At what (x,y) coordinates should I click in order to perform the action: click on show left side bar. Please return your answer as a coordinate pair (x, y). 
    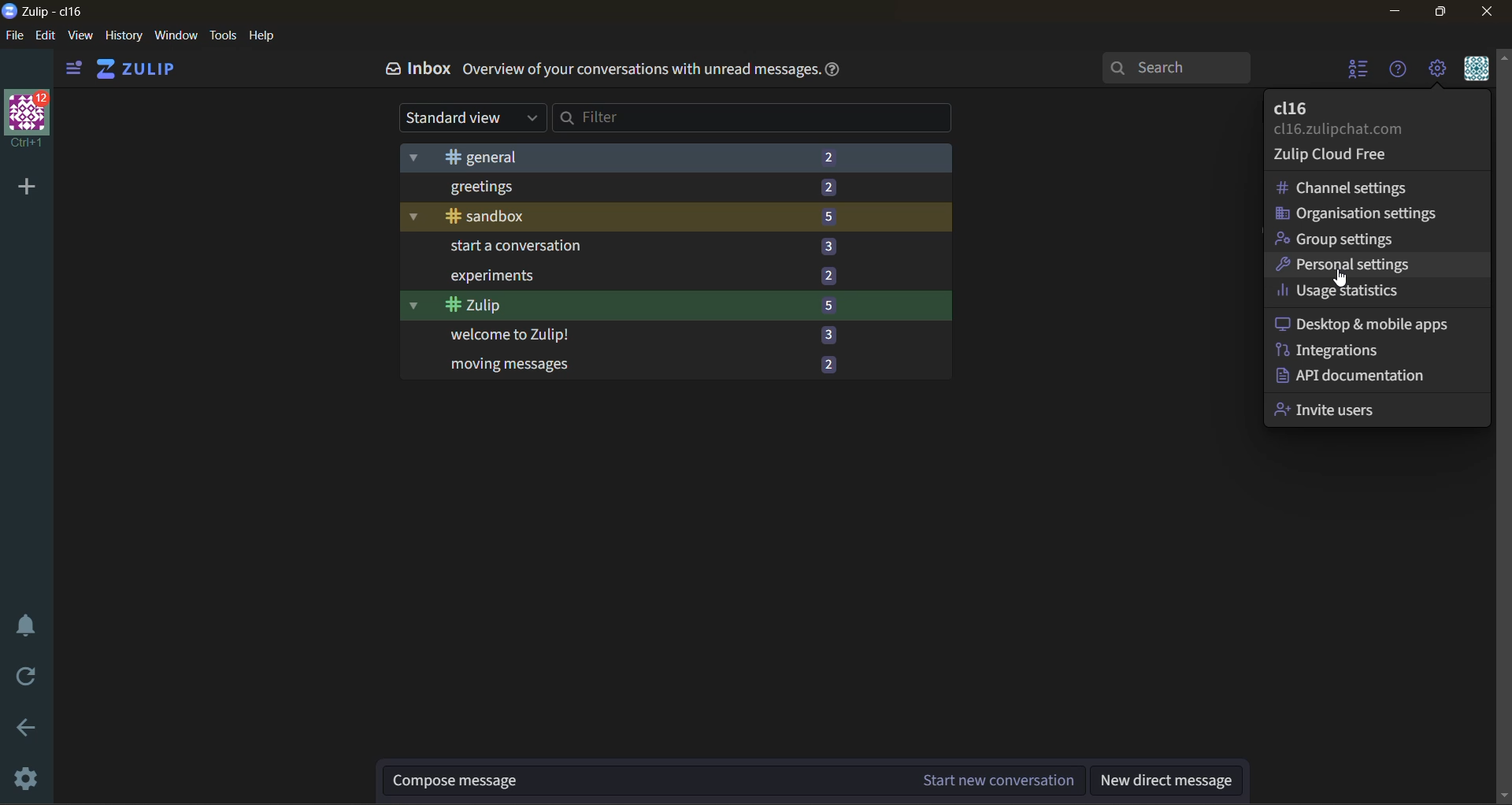
    Looking at the image, I should click on (73, 69).